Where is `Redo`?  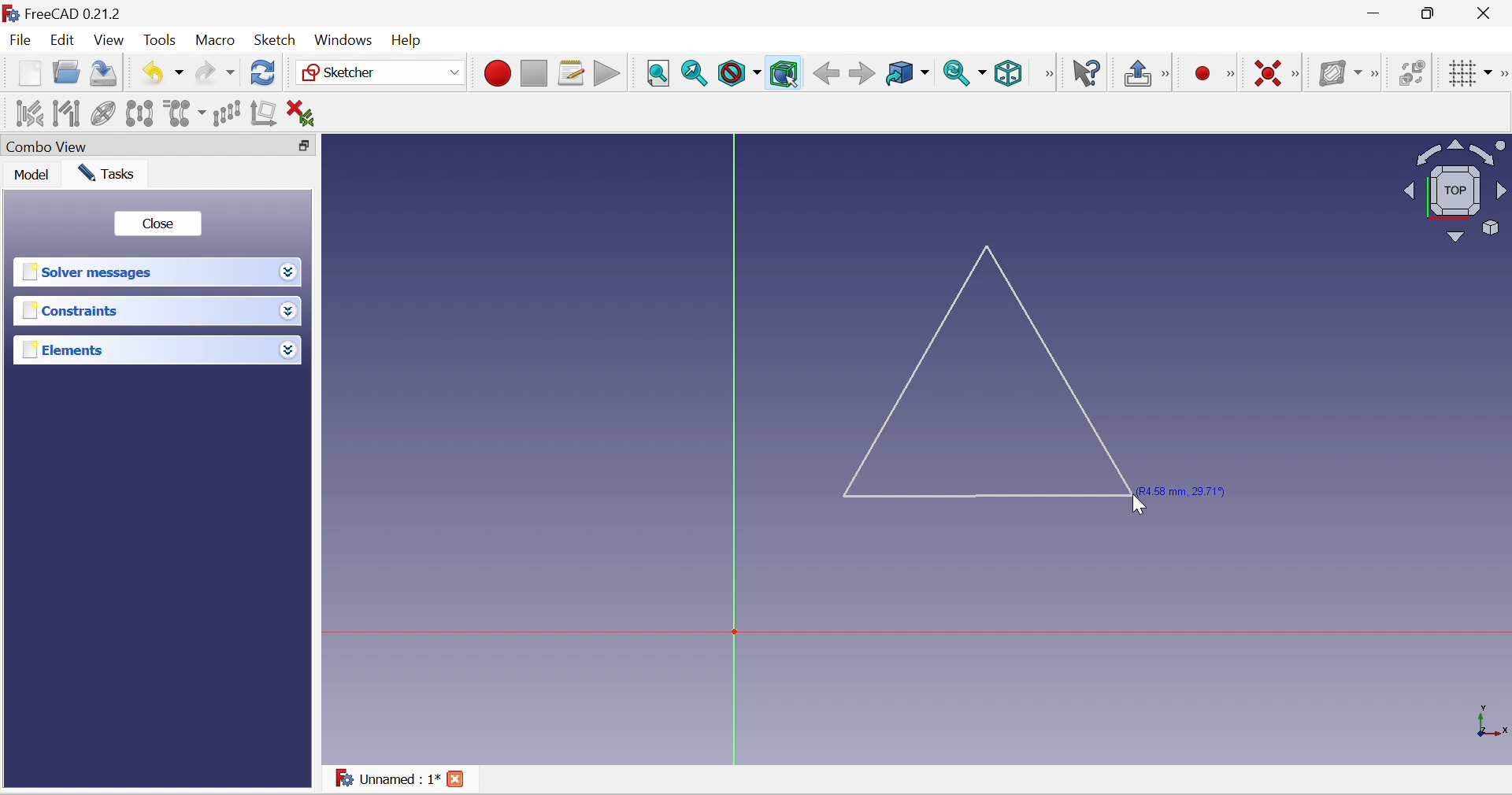 Redo is located at coordinates (215, 75).